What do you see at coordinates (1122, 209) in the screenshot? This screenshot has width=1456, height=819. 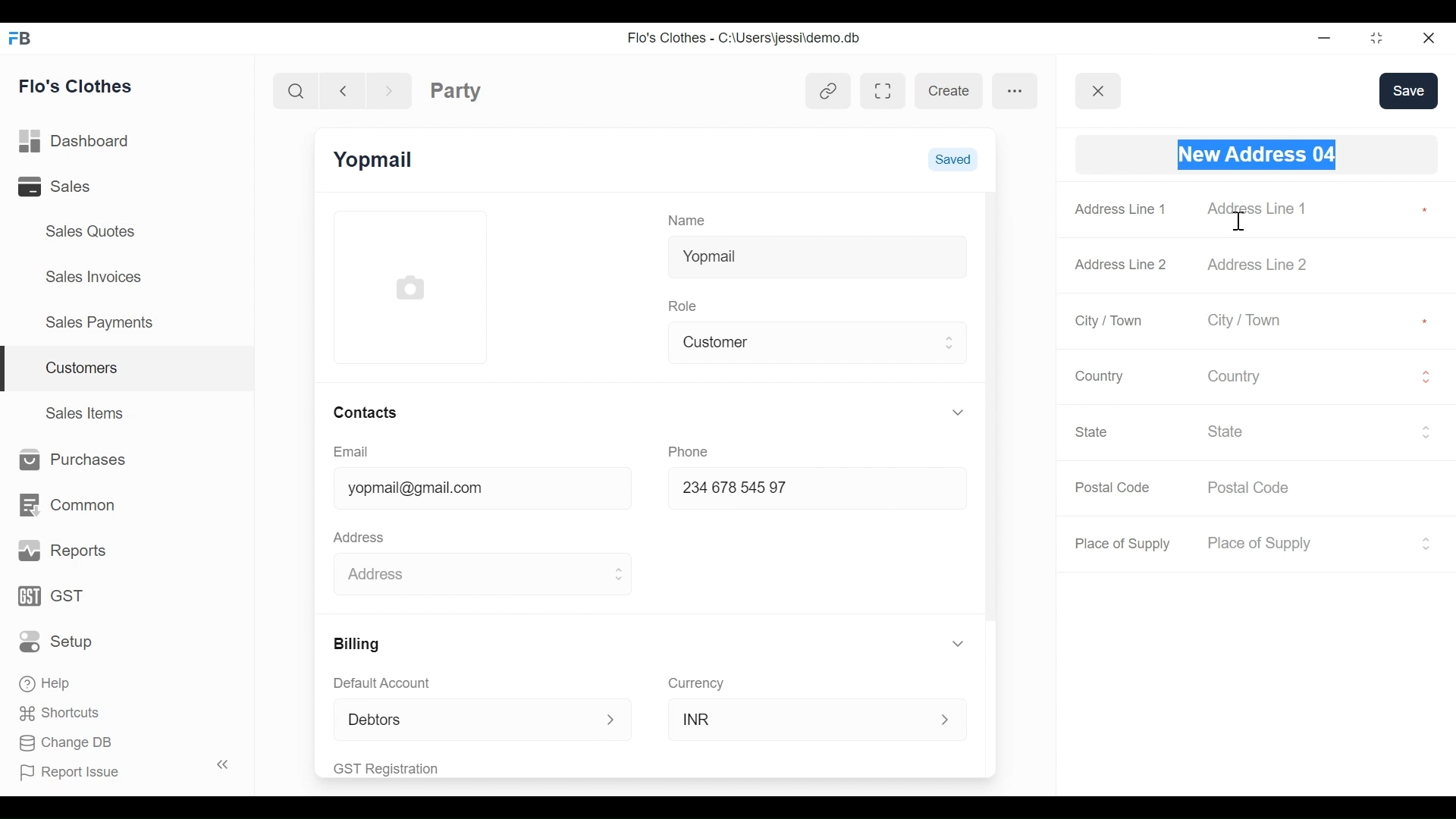 I see `Address Line 1` at bounding box center [1122, 209].